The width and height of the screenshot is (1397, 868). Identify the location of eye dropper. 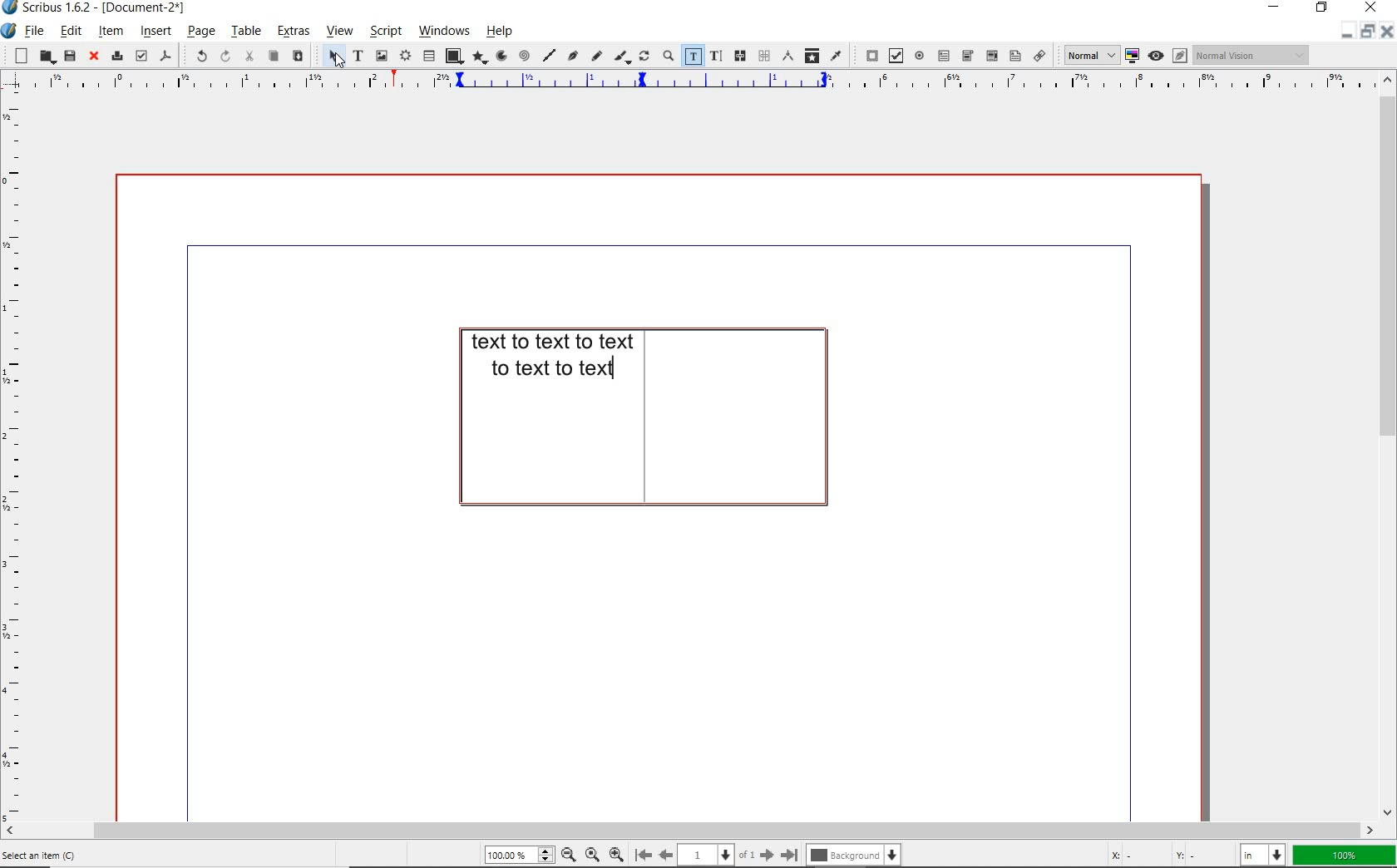
(837, 56).